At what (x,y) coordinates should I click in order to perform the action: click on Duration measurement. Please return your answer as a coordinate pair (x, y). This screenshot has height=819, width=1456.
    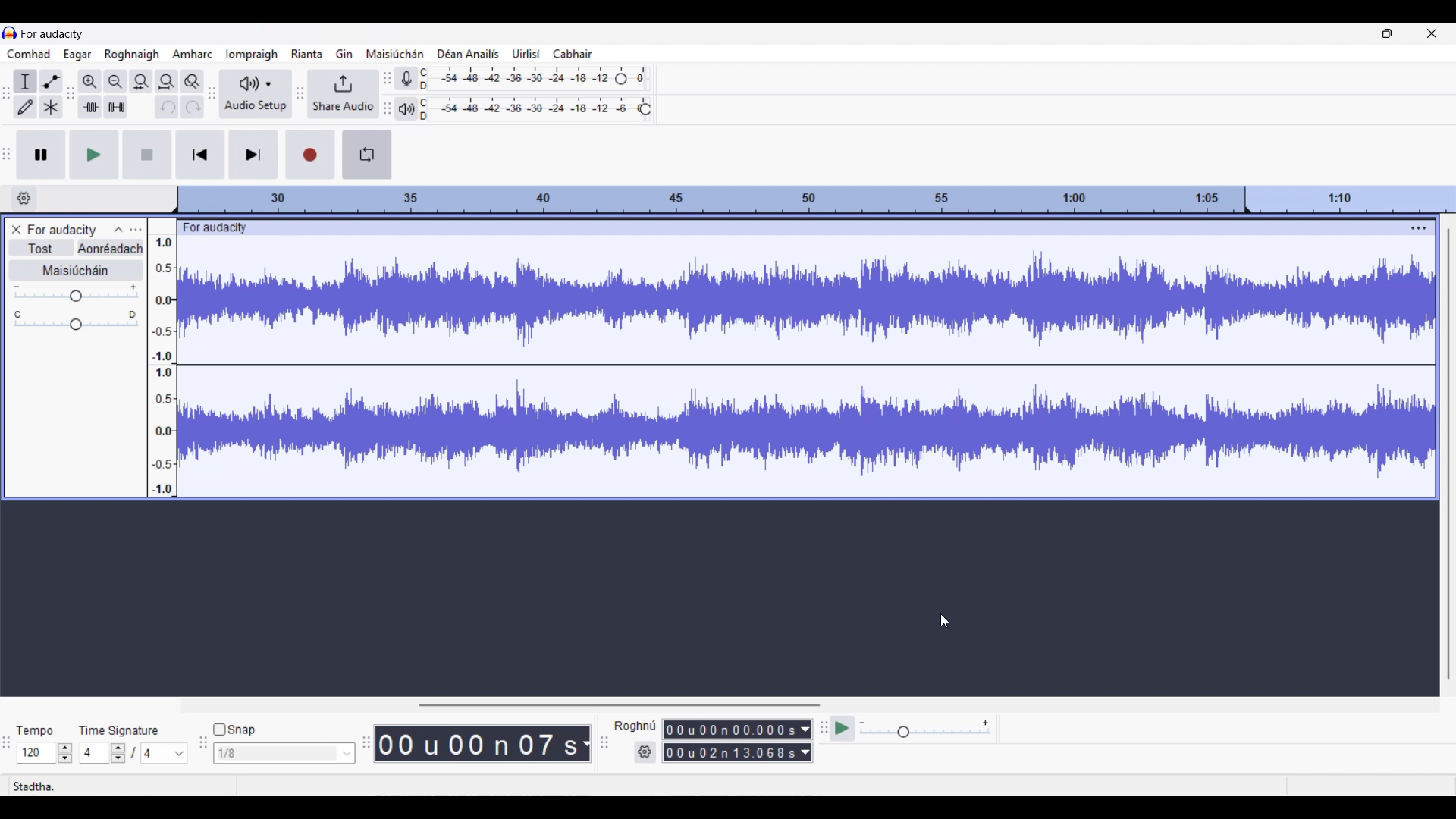
    Looking at the image, I should click on (809, 741).